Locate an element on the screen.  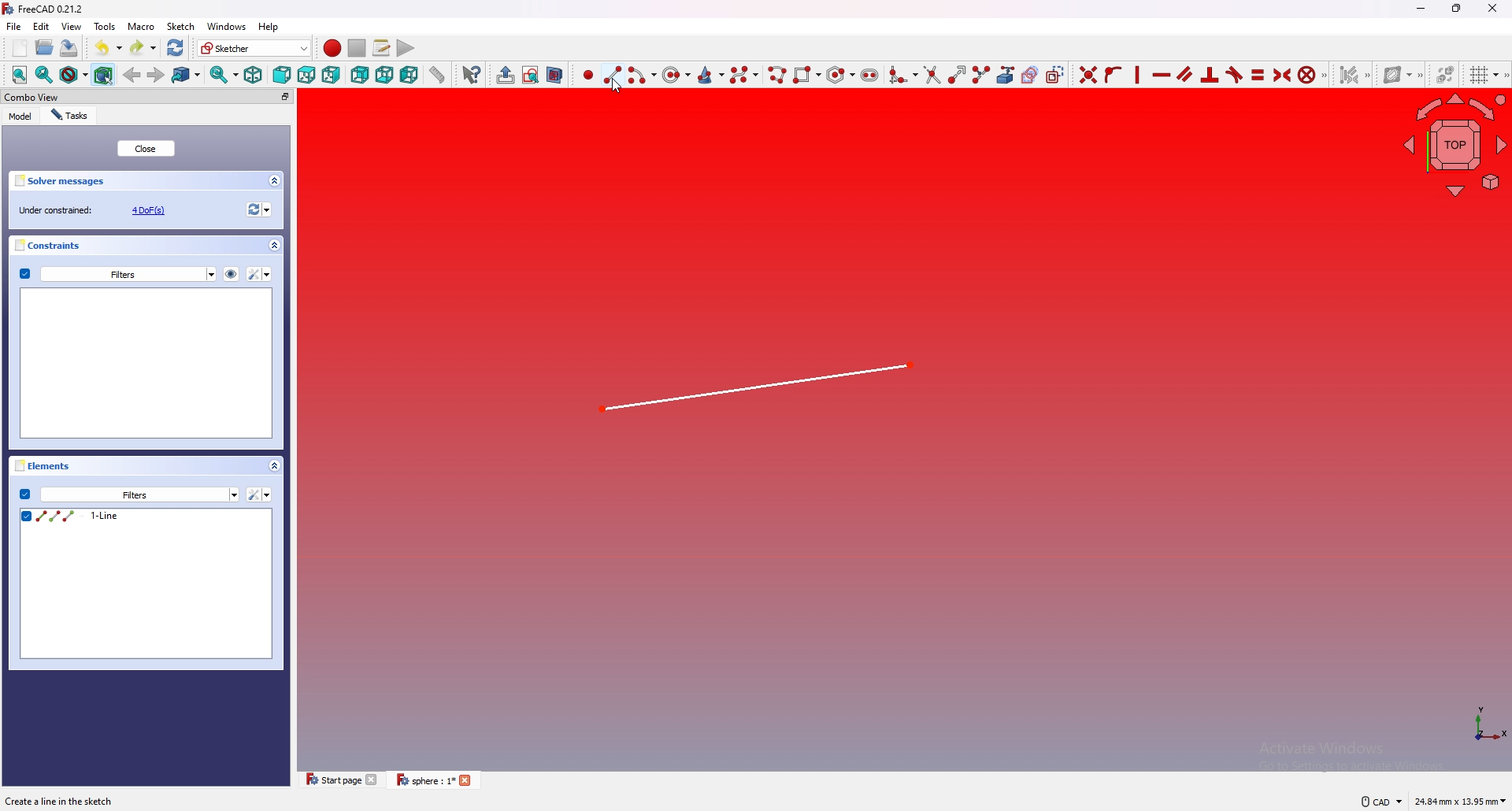
Blank is located at coordinates (148, 363).